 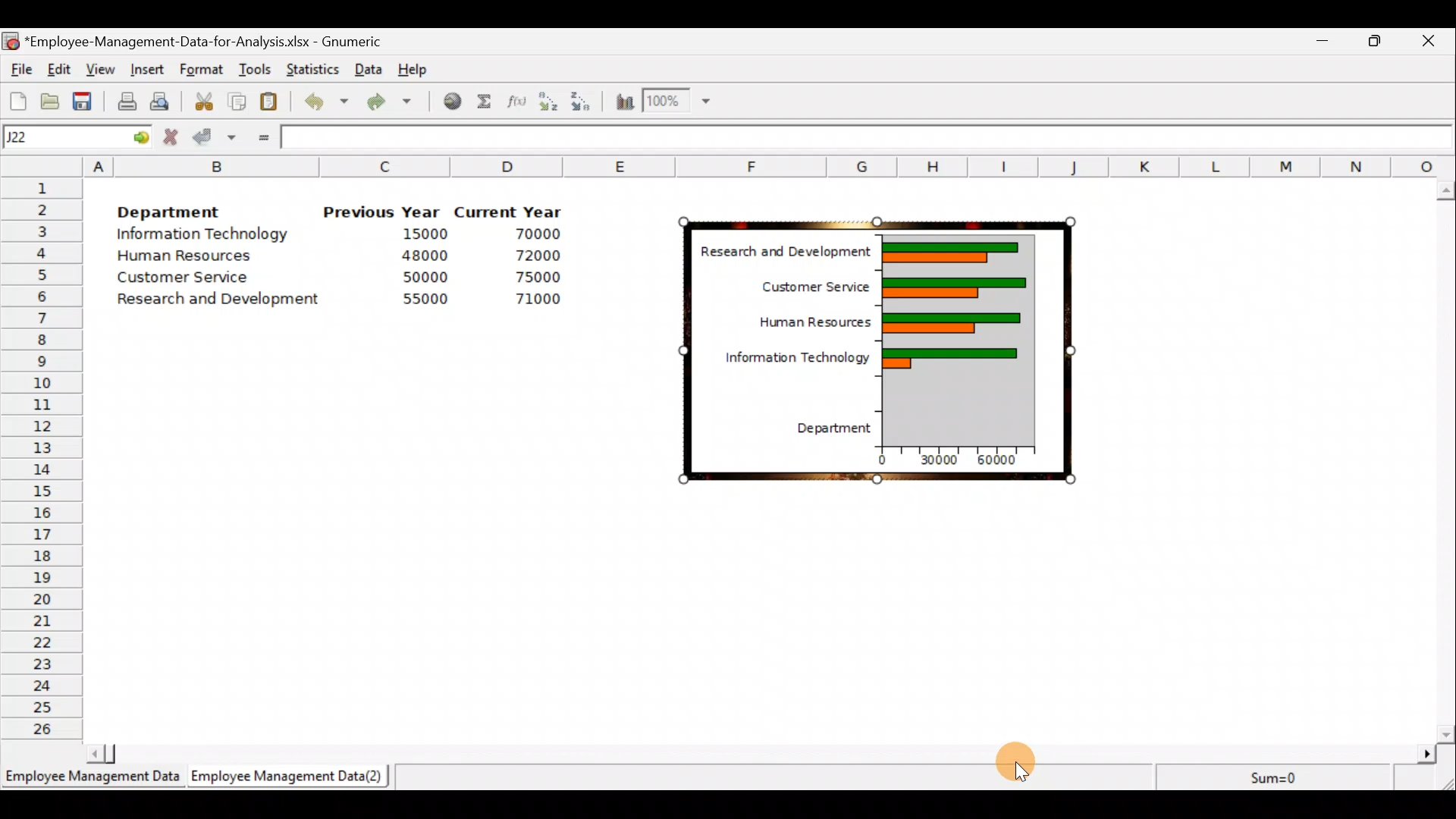 What do you see at coordinates (620, 101) in the screenshot?
I see `Insert a chart` at bounding box center [620, 101].